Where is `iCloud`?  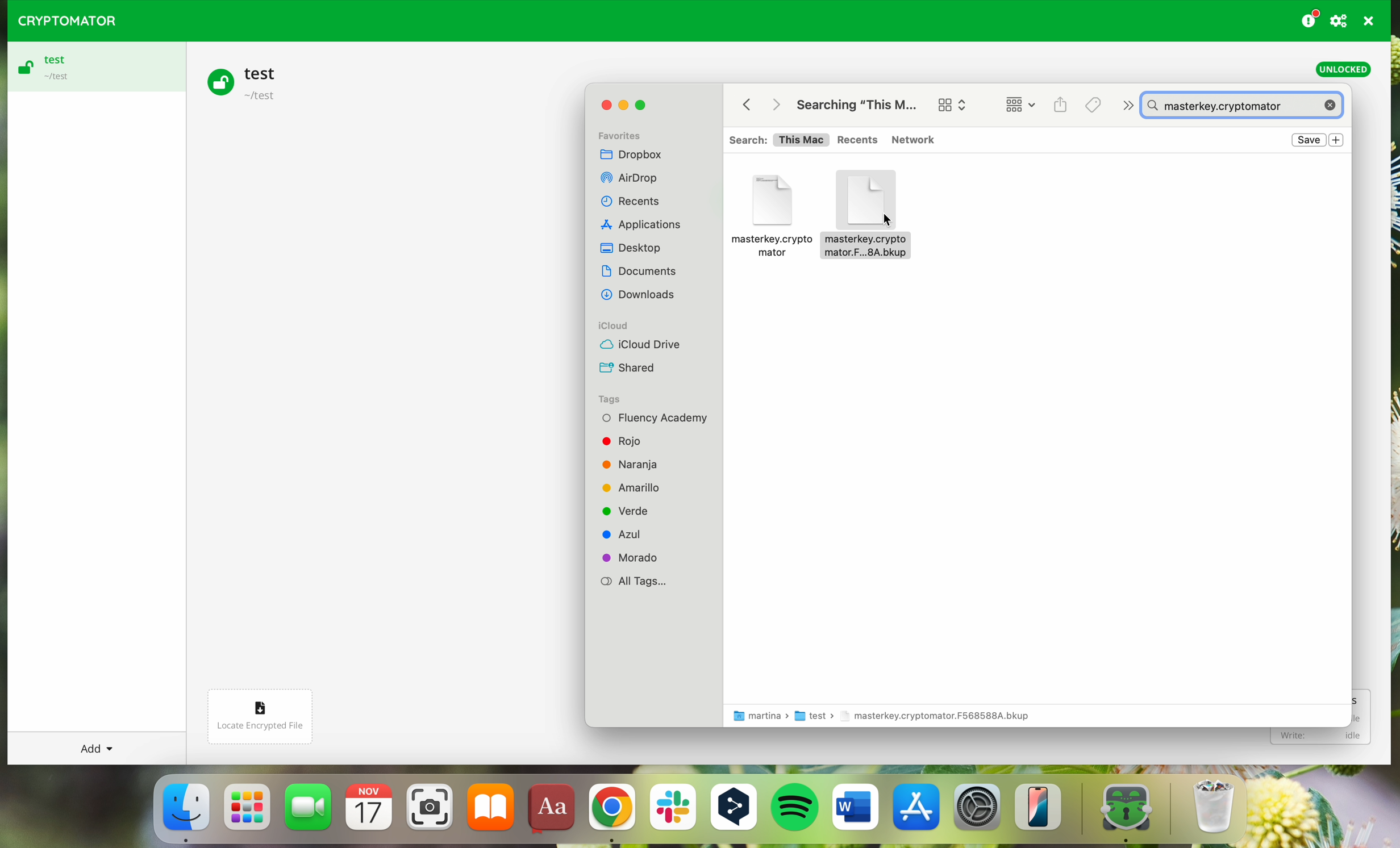
iCloud is located at coordinates (619, 325).